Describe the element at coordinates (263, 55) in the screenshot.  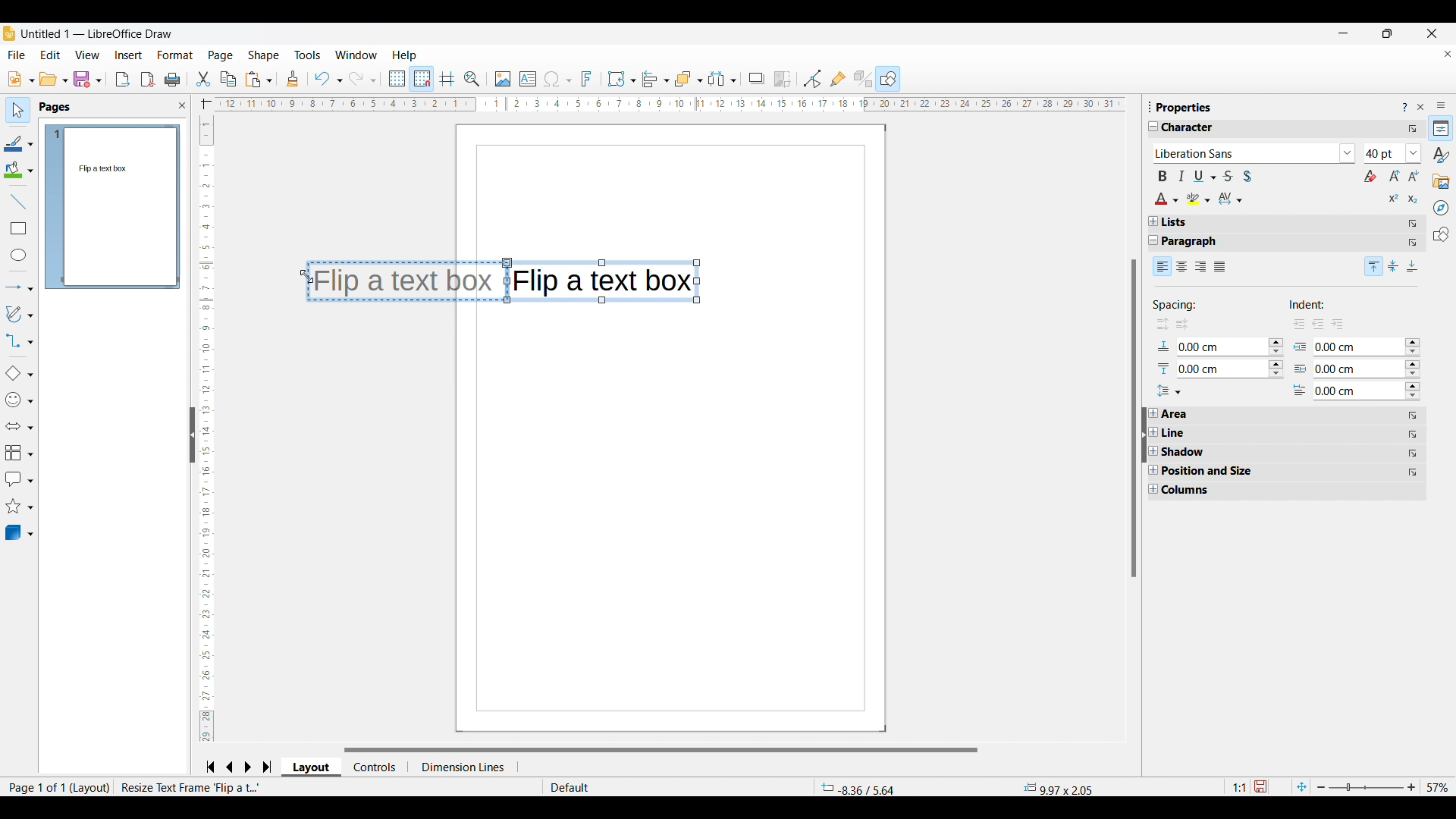
I see `Shape menu` at that location.